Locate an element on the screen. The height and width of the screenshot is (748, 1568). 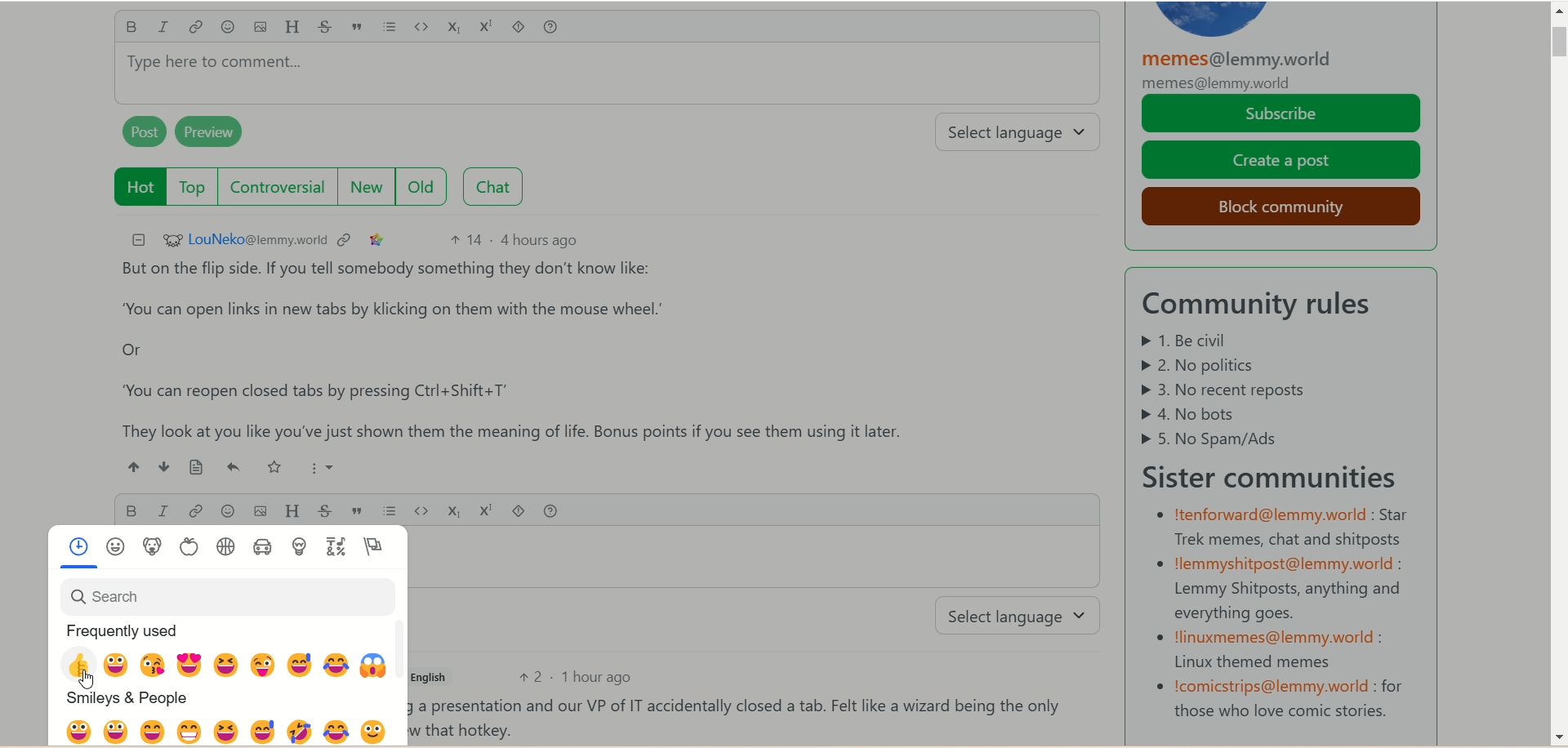
superscript is located at coordinates (484, 510).